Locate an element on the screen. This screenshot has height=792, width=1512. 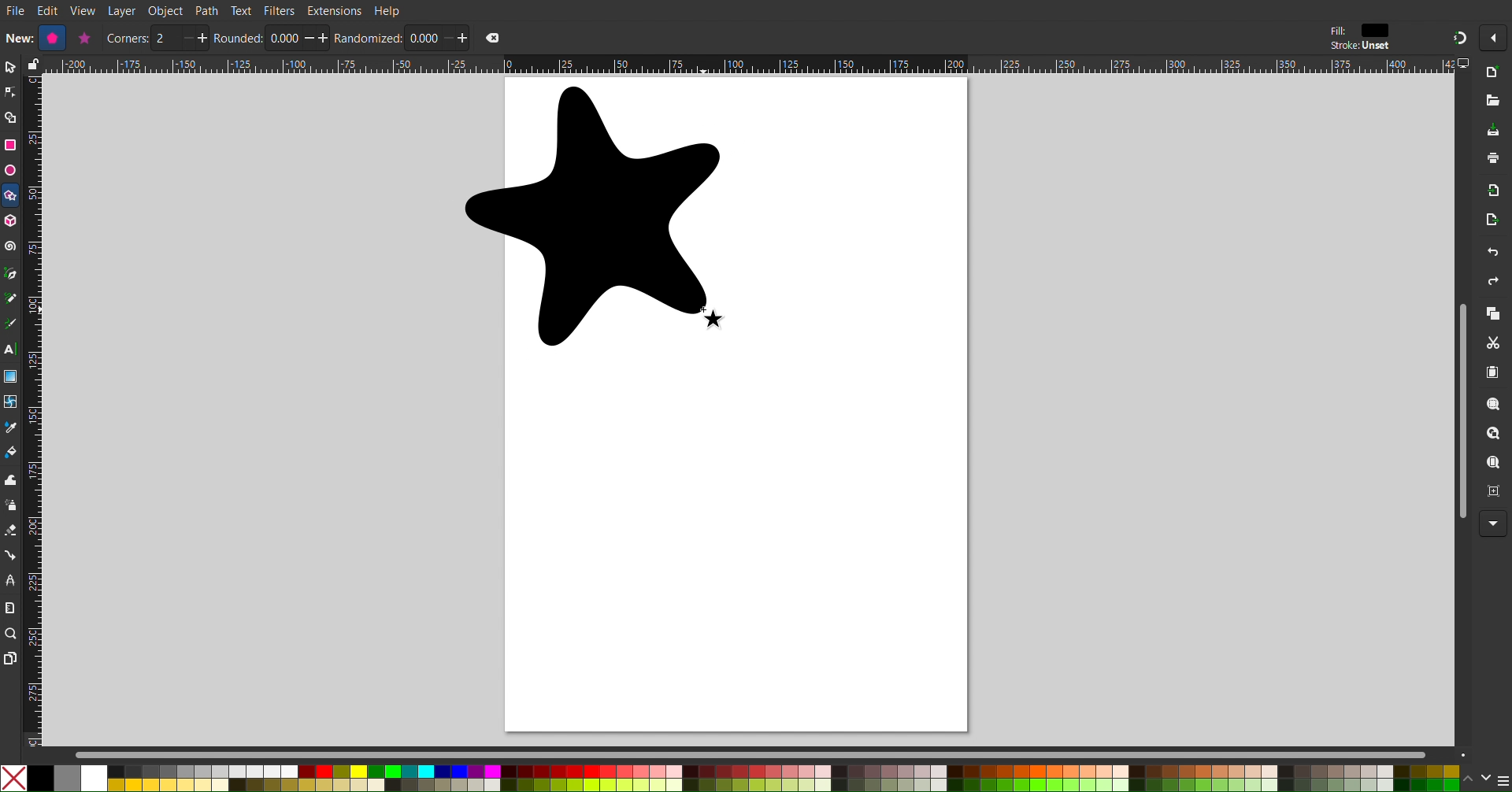
star options is located at coordinates (83, 38).